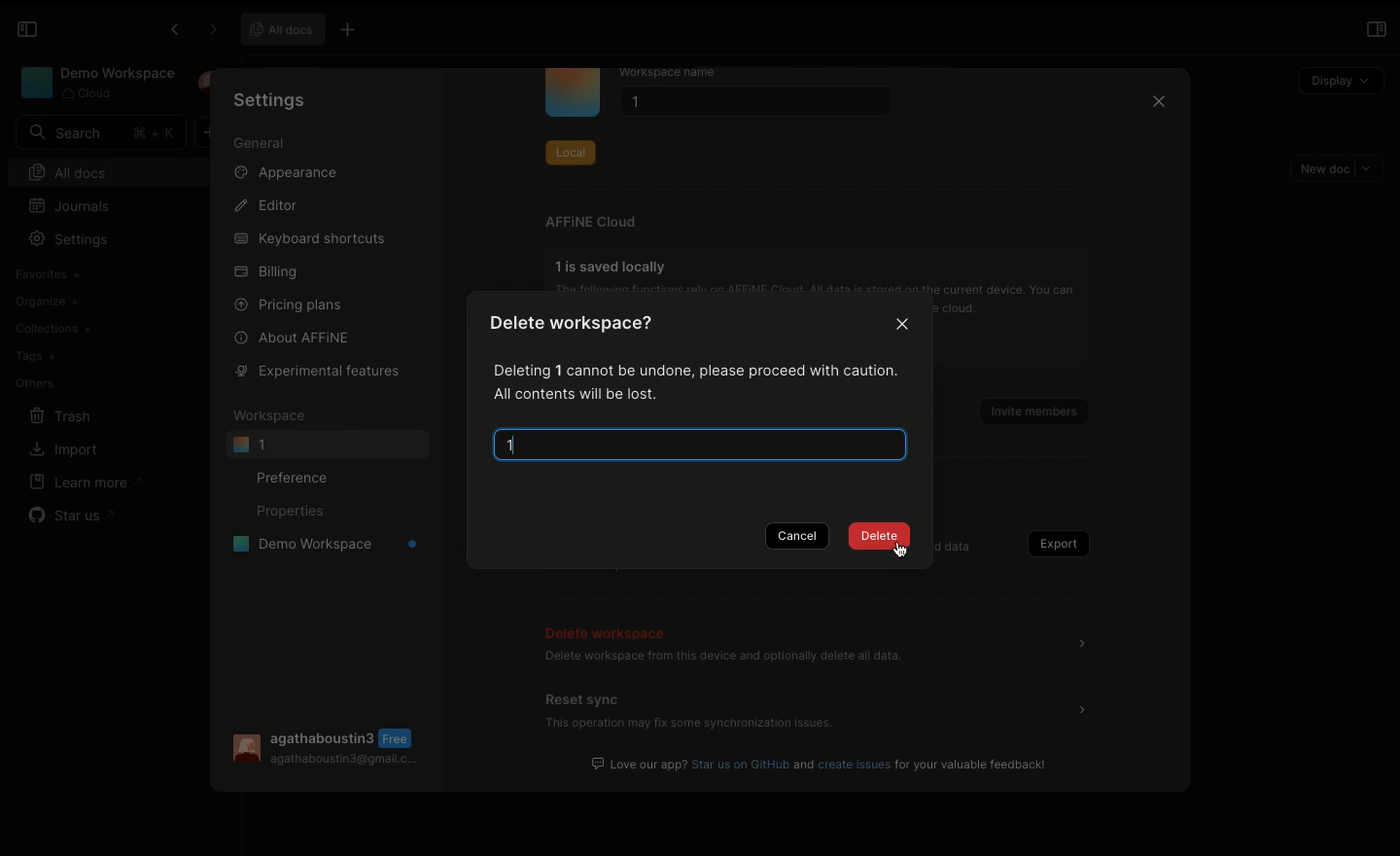  What do you see at coordinates (400, 738) in the screenshot?
I see `Free` at bounding box center [400, 738].